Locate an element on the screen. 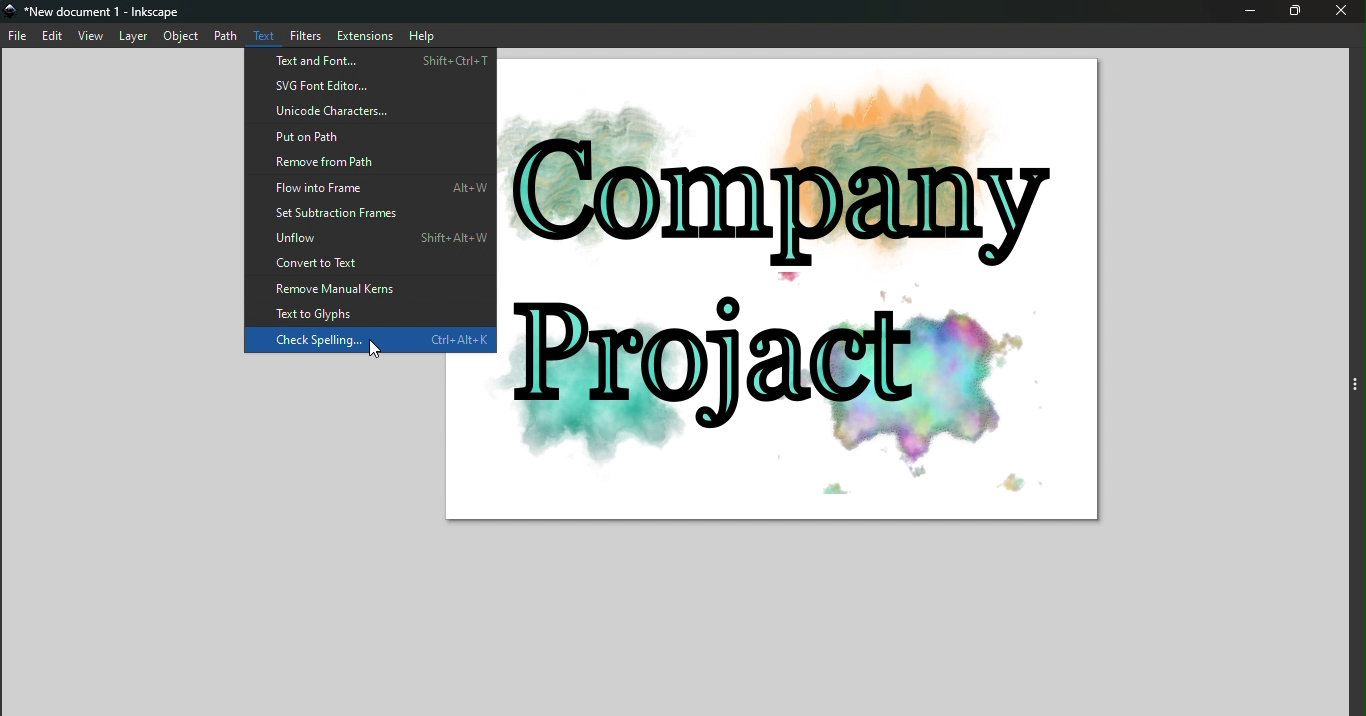 Image resolution: width=1366 pixels, height=716 pixels. view is located at coordinates (92, 37).